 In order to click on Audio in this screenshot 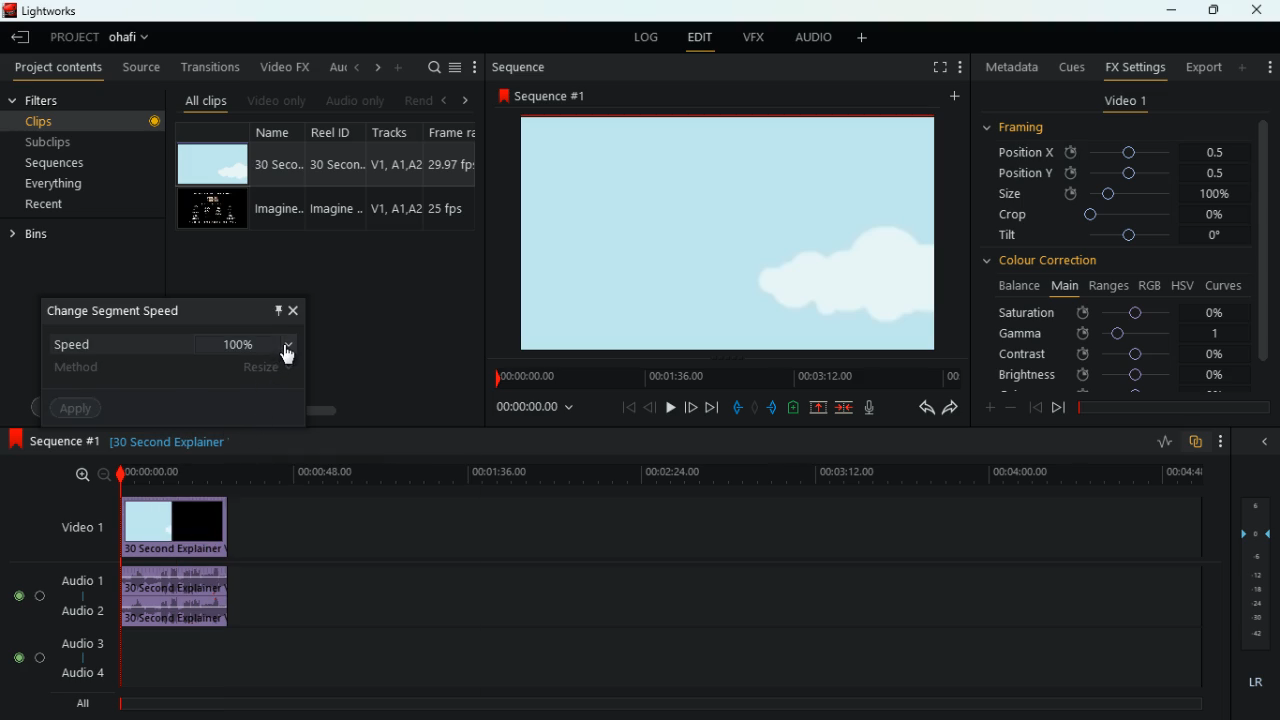, I will do `click(28, 658)`.